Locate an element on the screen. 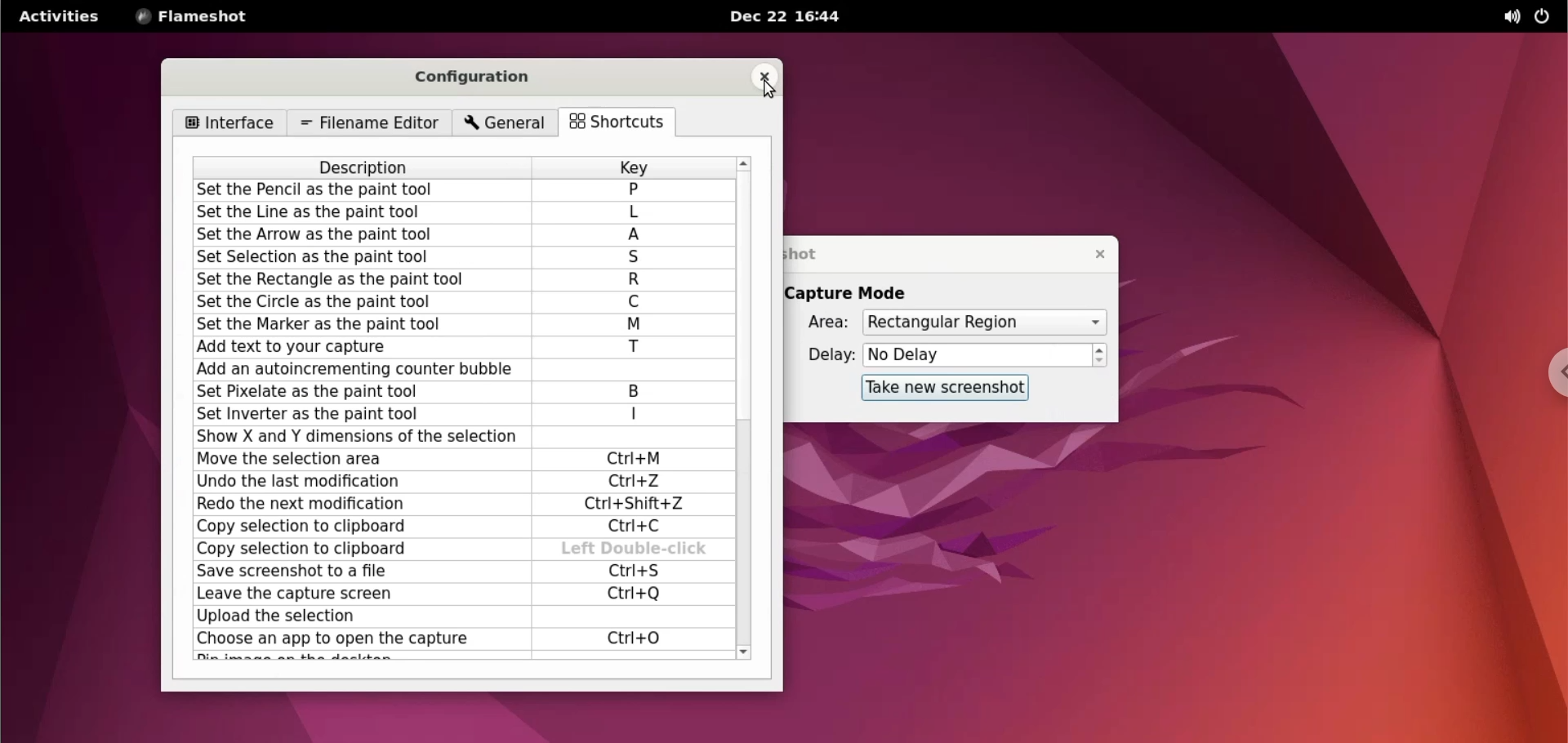 The height and width of the screenshot is (743, 1568). close is located at coordinates (763, 76).